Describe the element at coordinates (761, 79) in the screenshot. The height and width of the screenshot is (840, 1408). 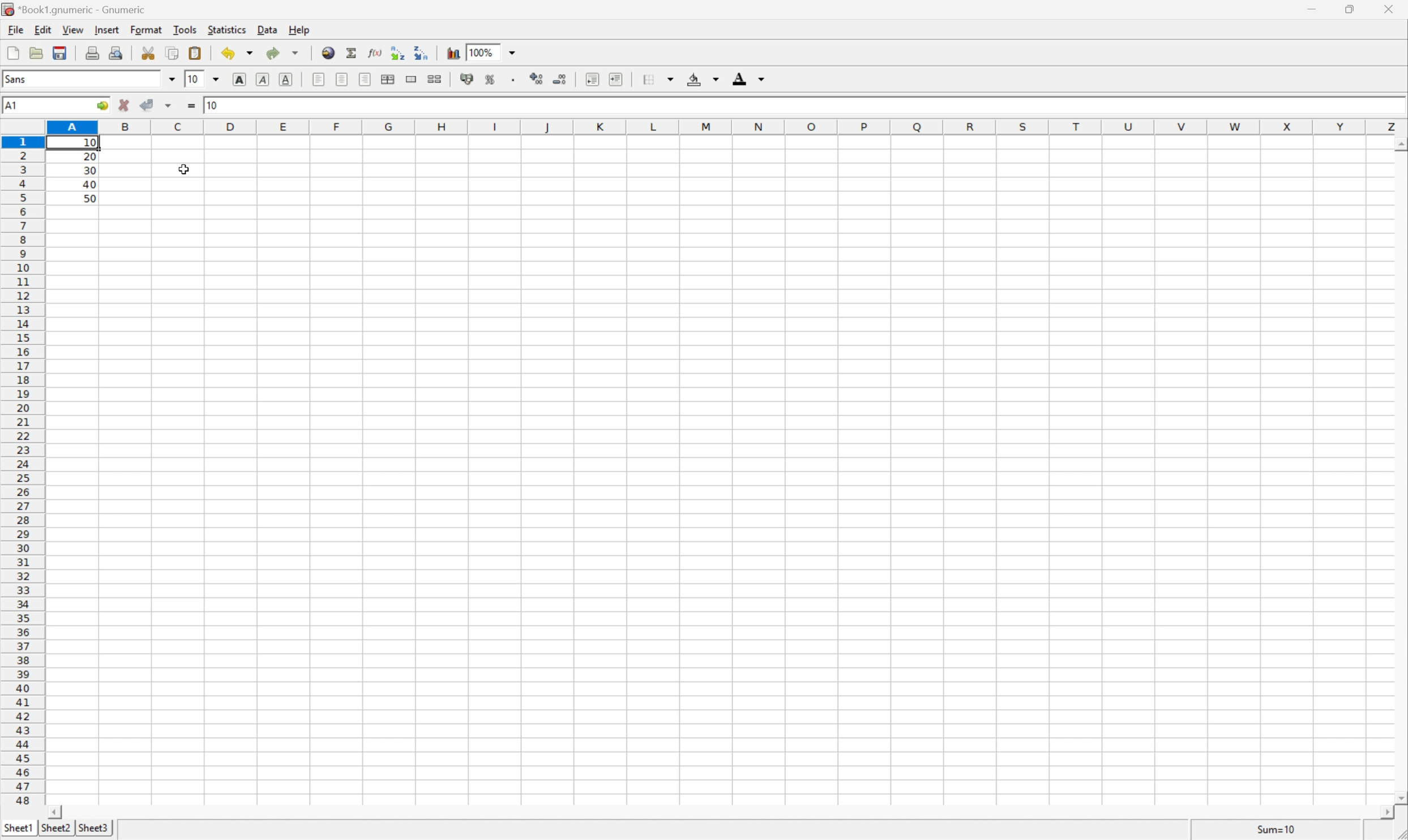
I see `Drop down` at that location.